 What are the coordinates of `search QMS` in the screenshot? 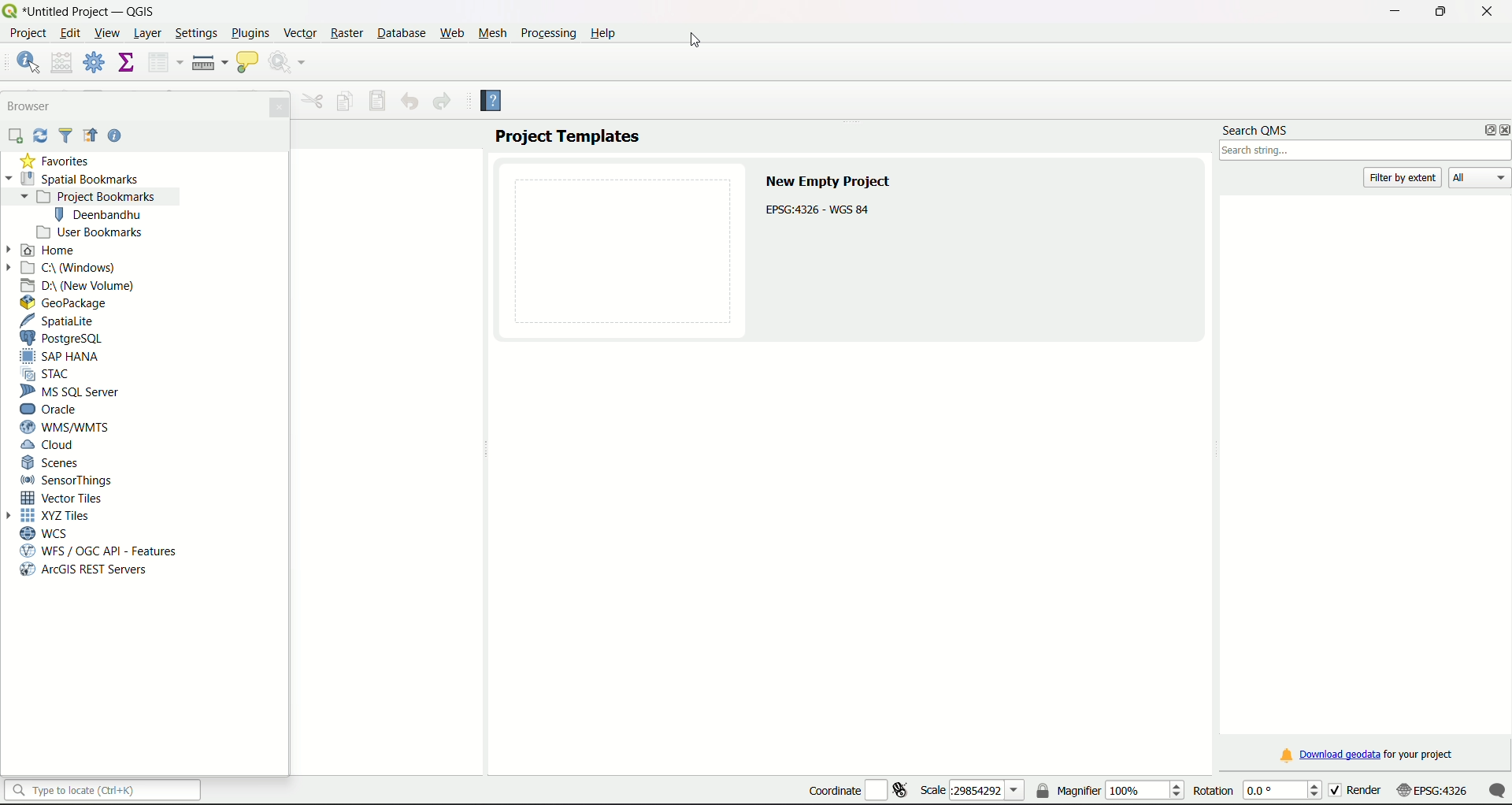 It's located at (1255, 128).